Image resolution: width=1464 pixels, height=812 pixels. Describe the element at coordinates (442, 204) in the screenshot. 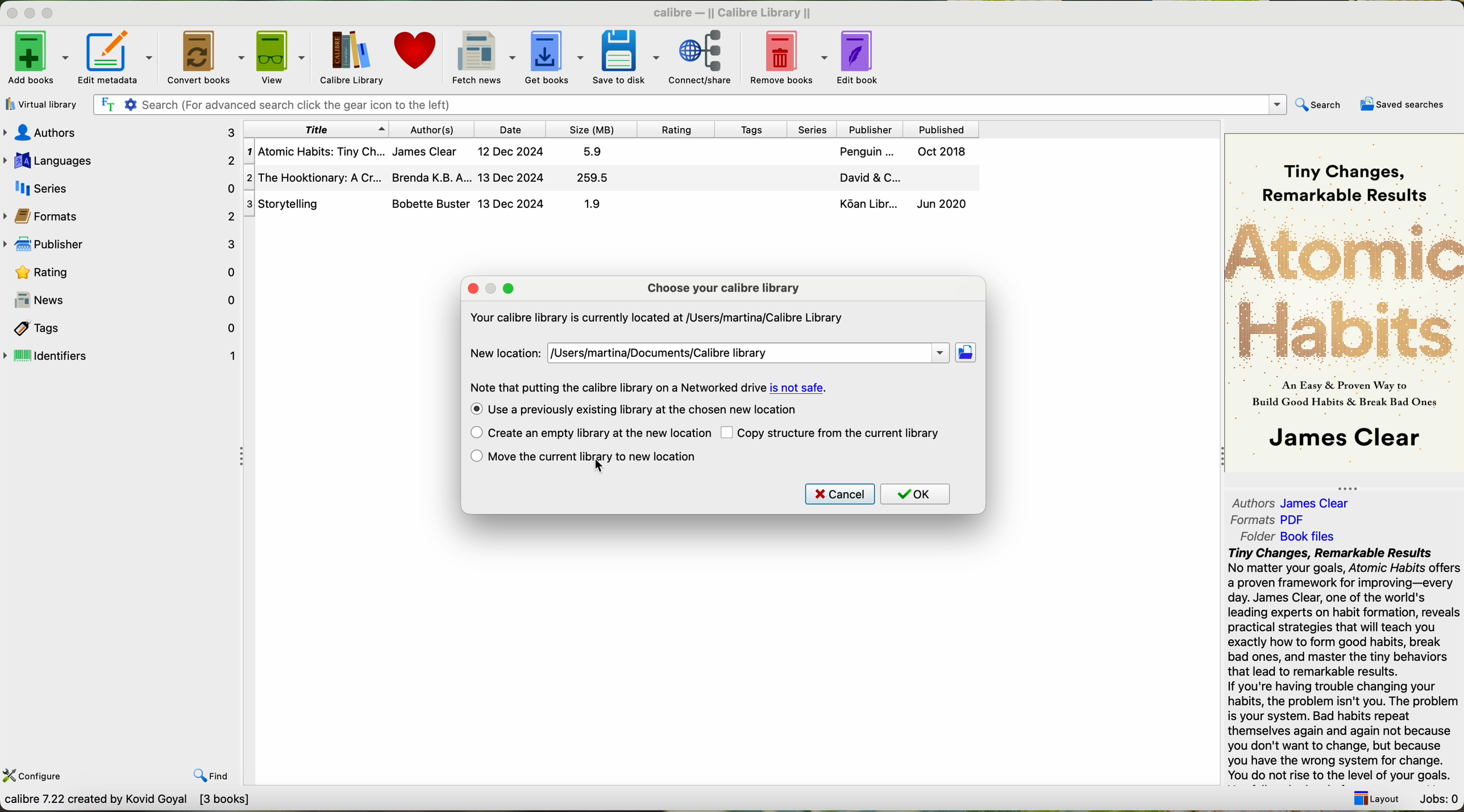

I see `3| Storytelling Bobette Buster 13 Dec 2024 1.9` at that location.